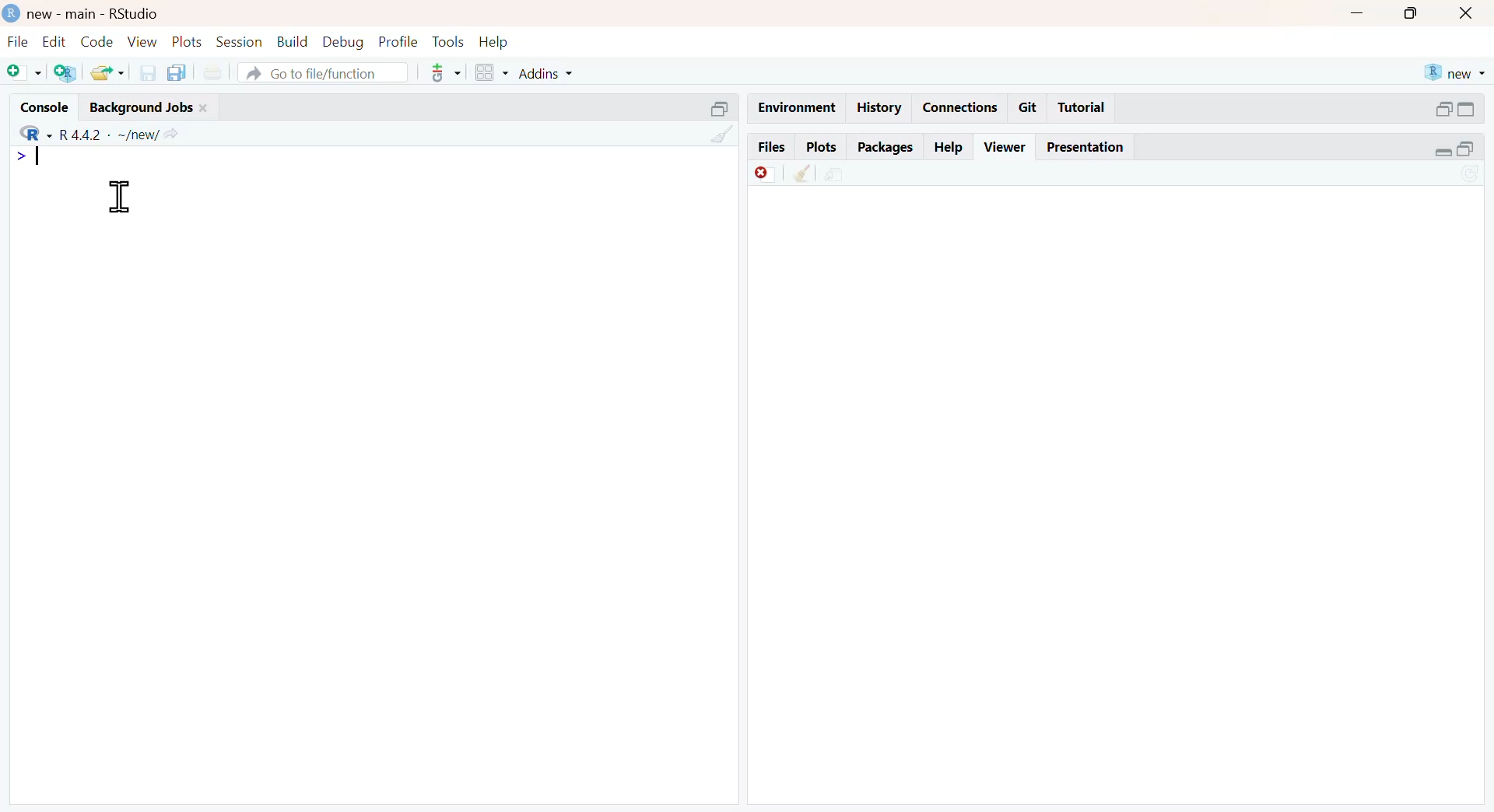  I want to click on history, so click(881, 107).